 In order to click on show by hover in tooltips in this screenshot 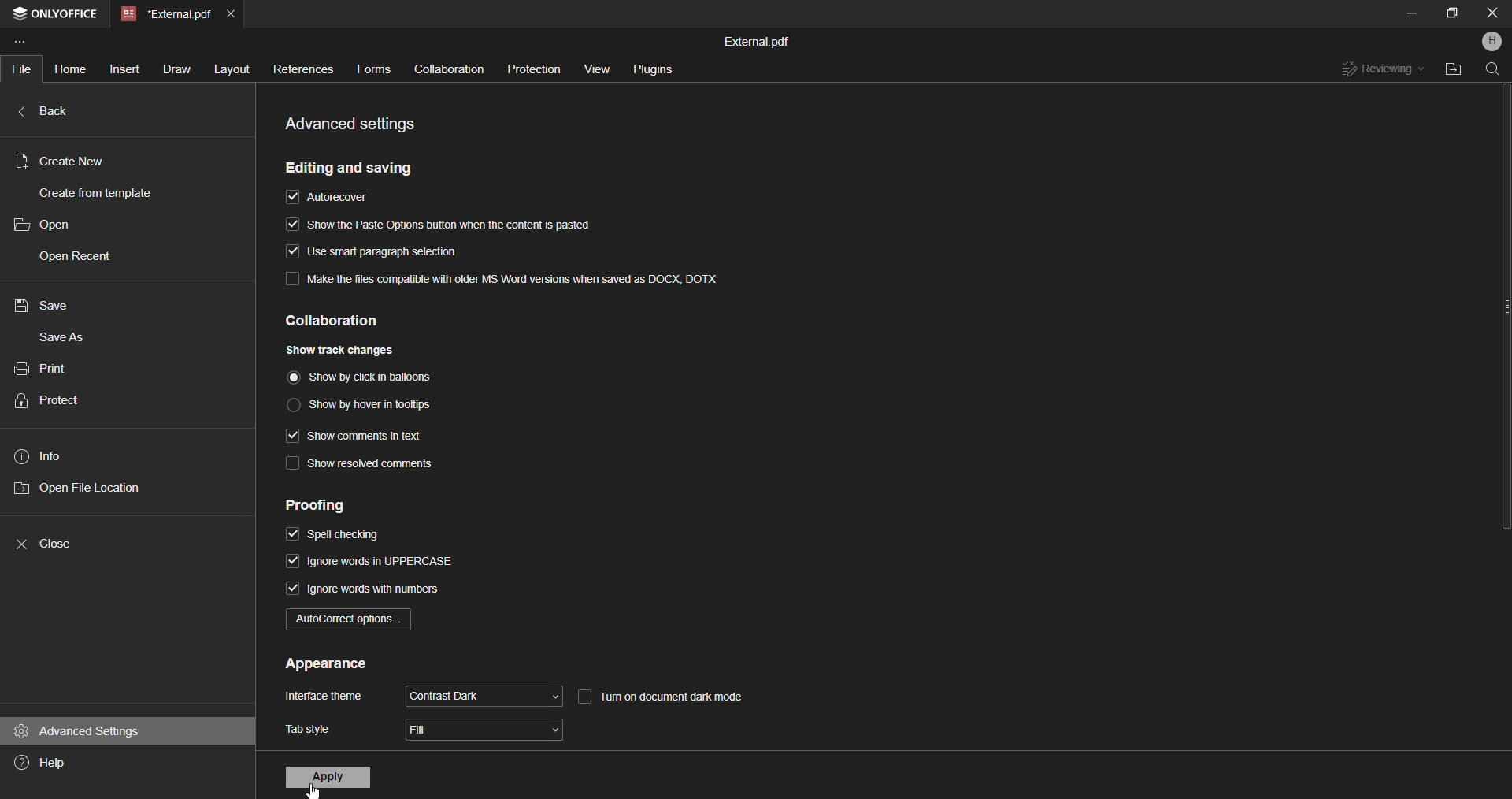, I will do `click(363, 403)`.